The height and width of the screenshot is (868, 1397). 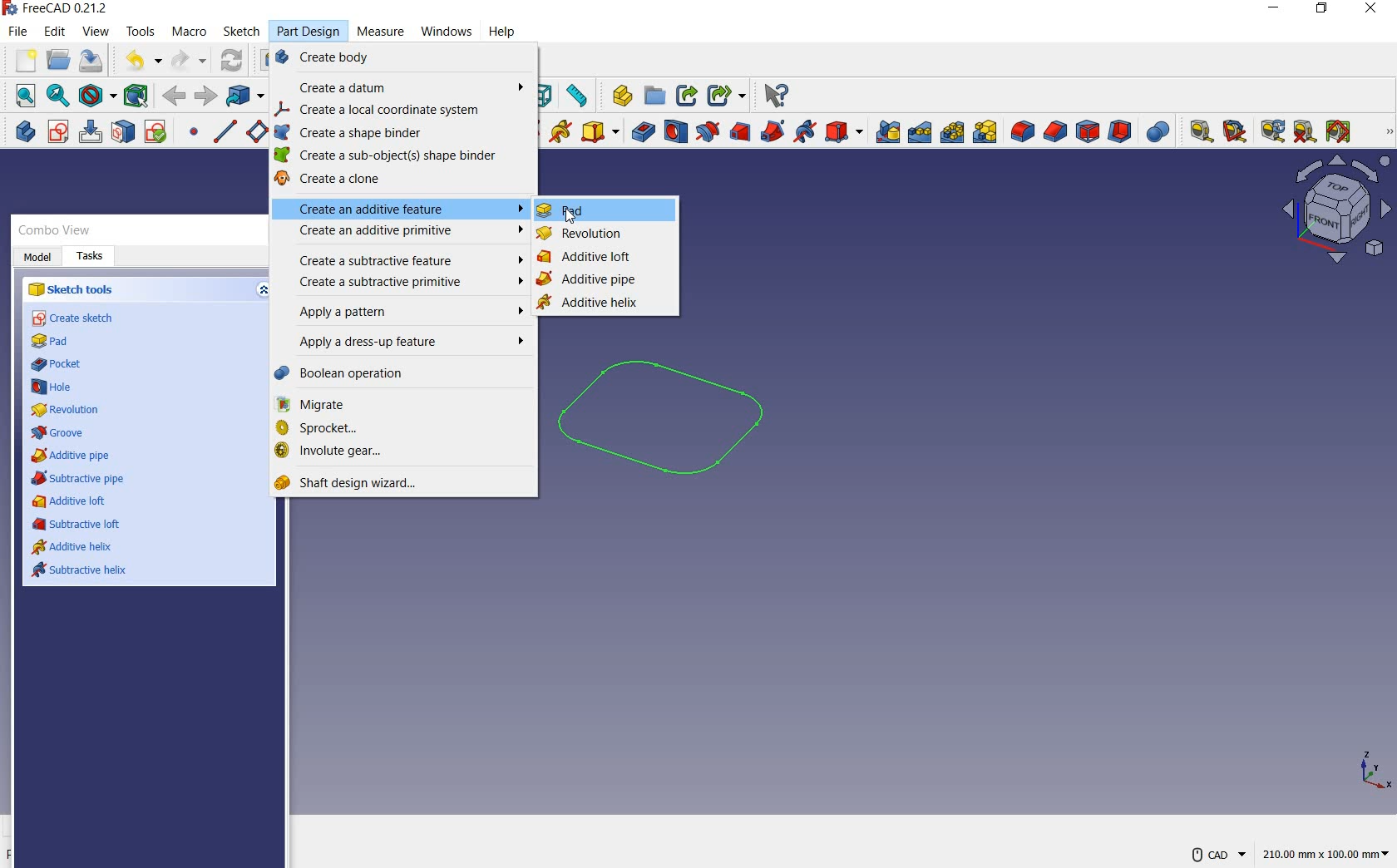 I want to click on Open, so click(x=657, y=92).